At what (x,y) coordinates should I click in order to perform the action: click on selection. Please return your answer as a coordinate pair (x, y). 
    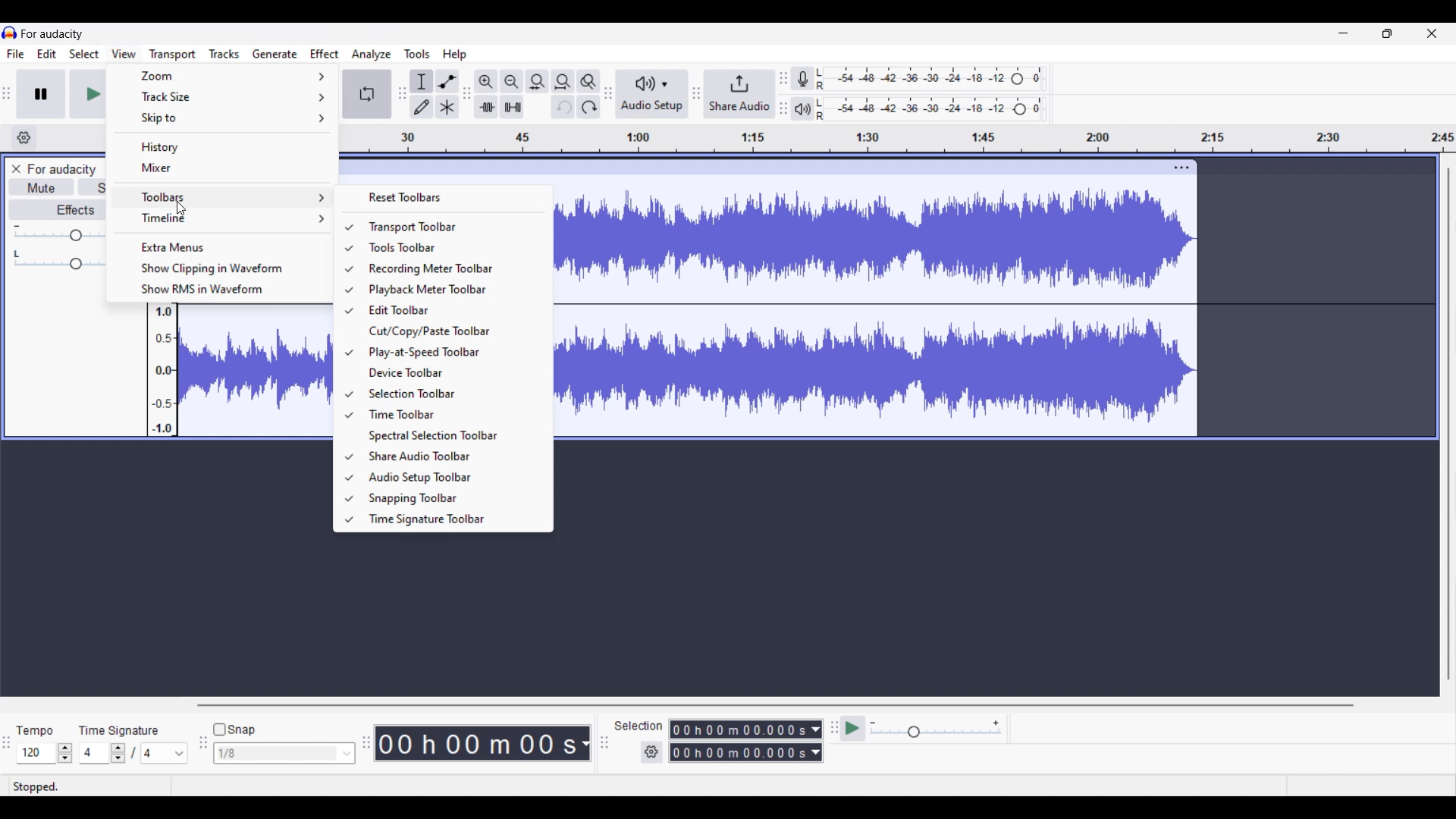
    Looking at the image, I should click on (639, 726).